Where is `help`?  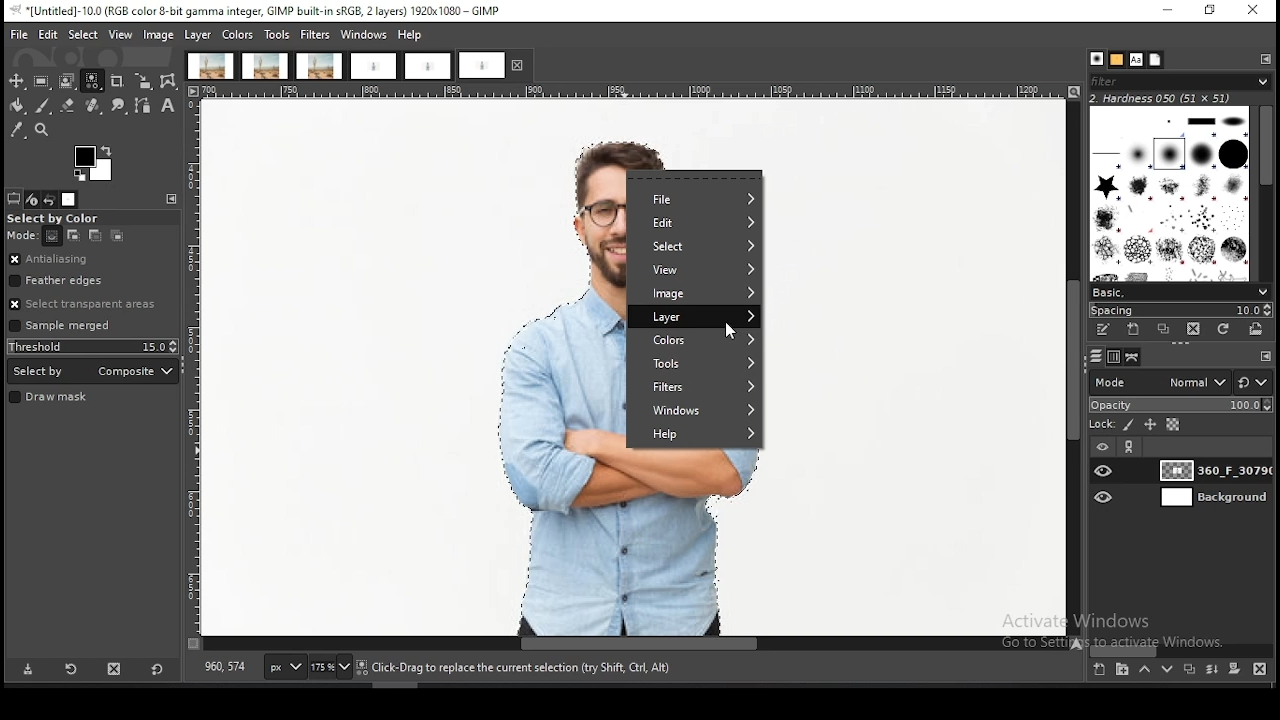
help is located at coordinates (412, 34).